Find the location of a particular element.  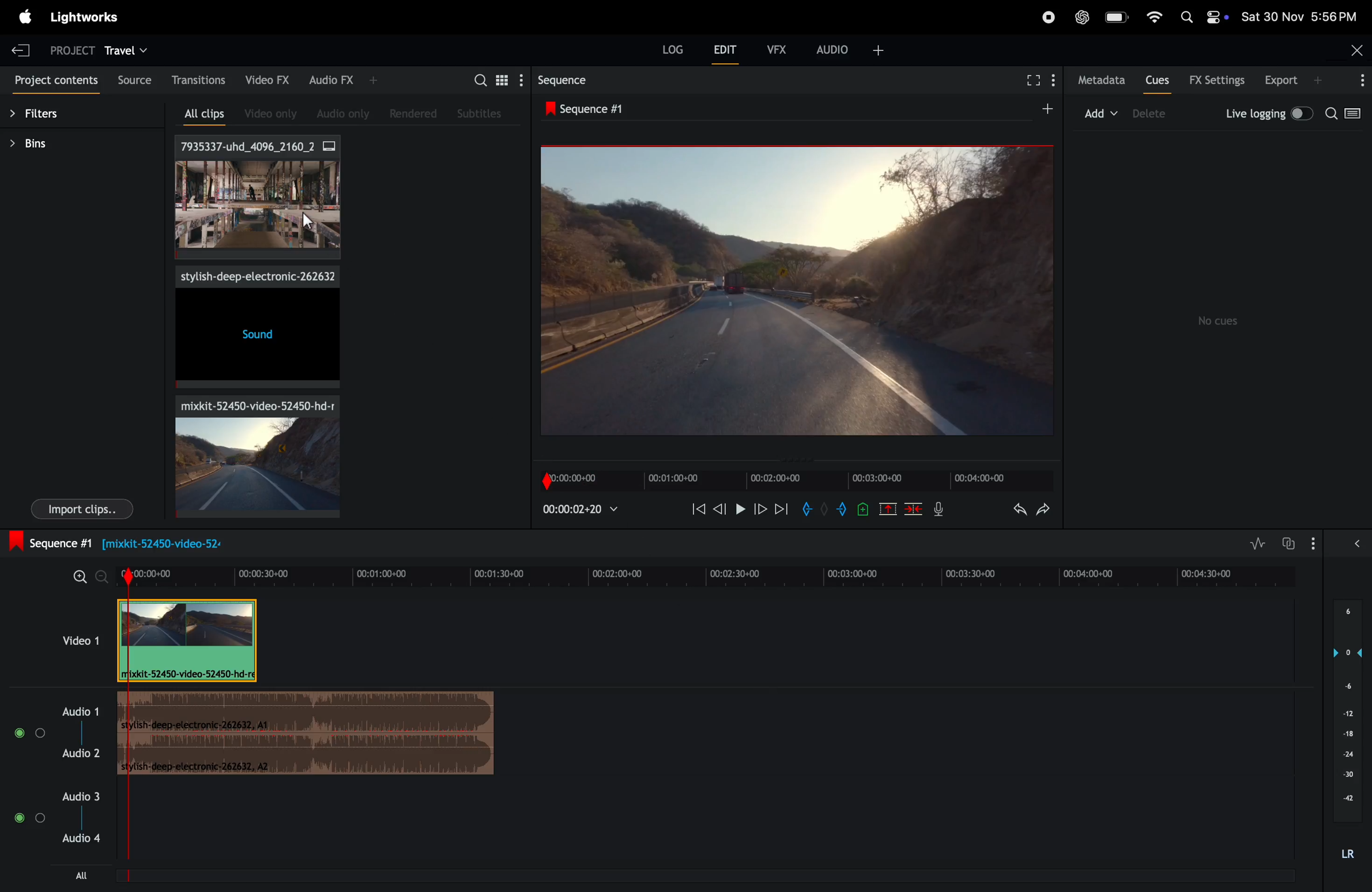

subtitles is located at coordinates (480, 112).